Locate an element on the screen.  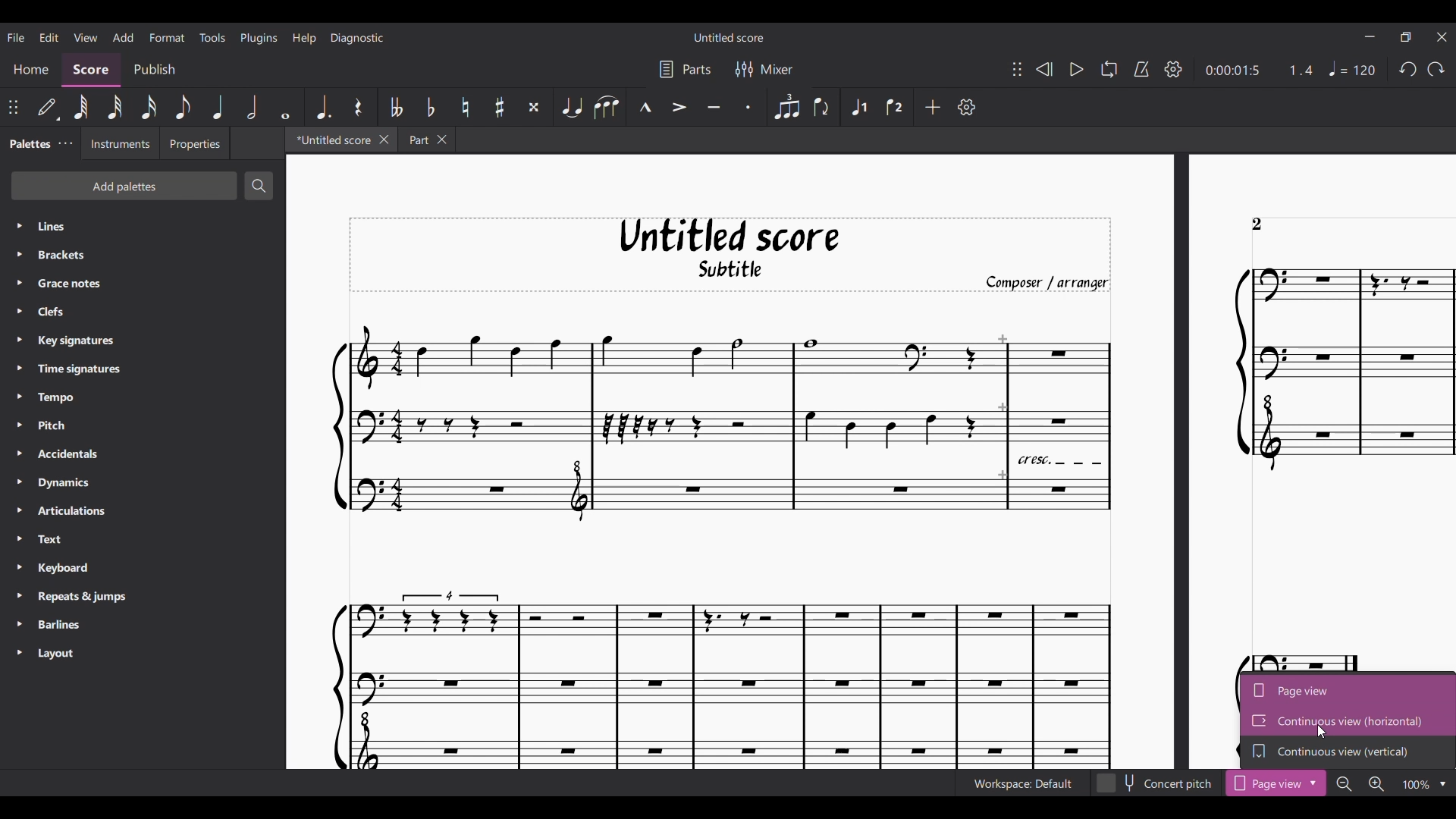
Search palette is located at coordinates (259, 186).